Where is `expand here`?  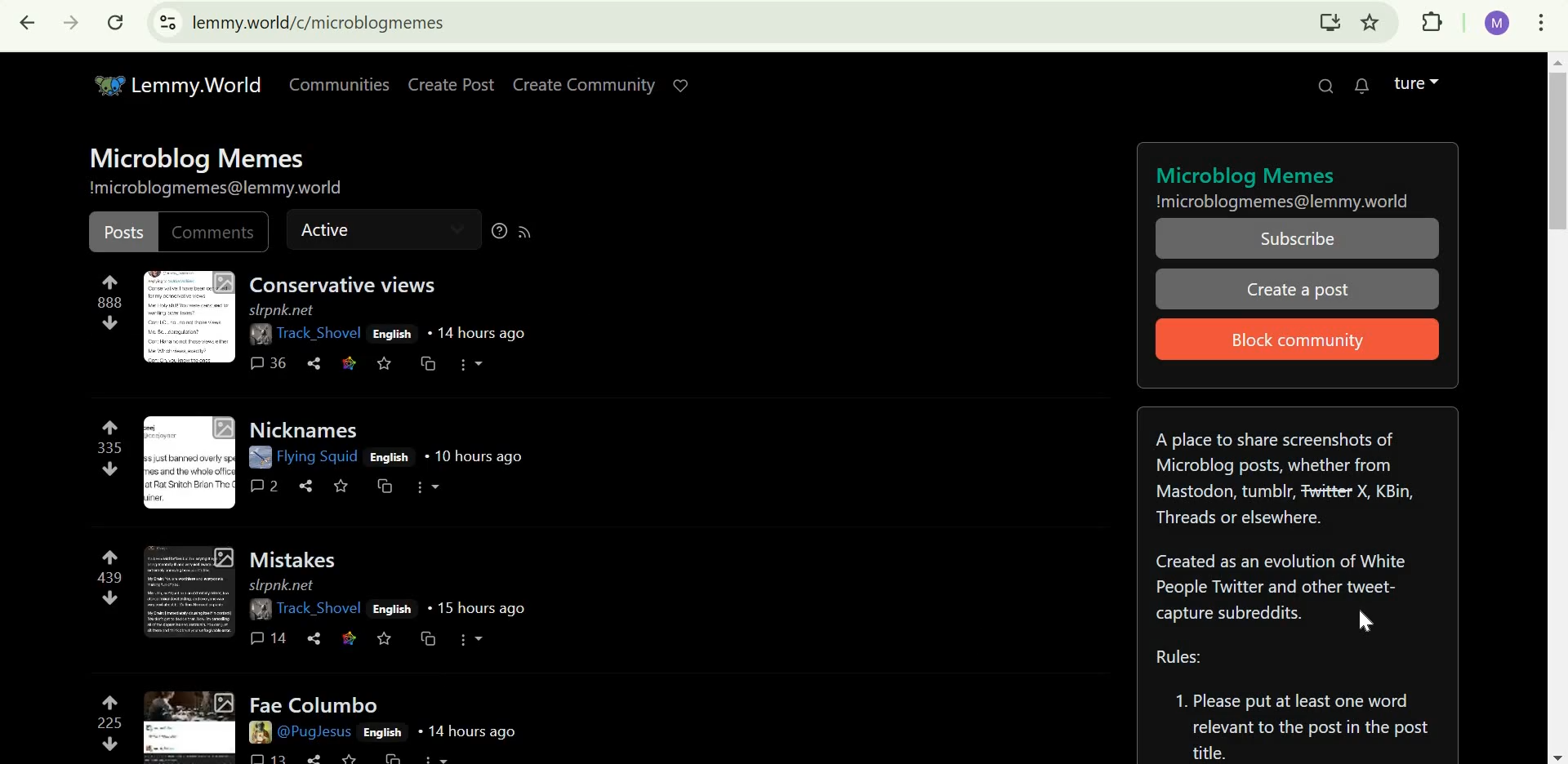 expand here is located at coordinates (189, 463).